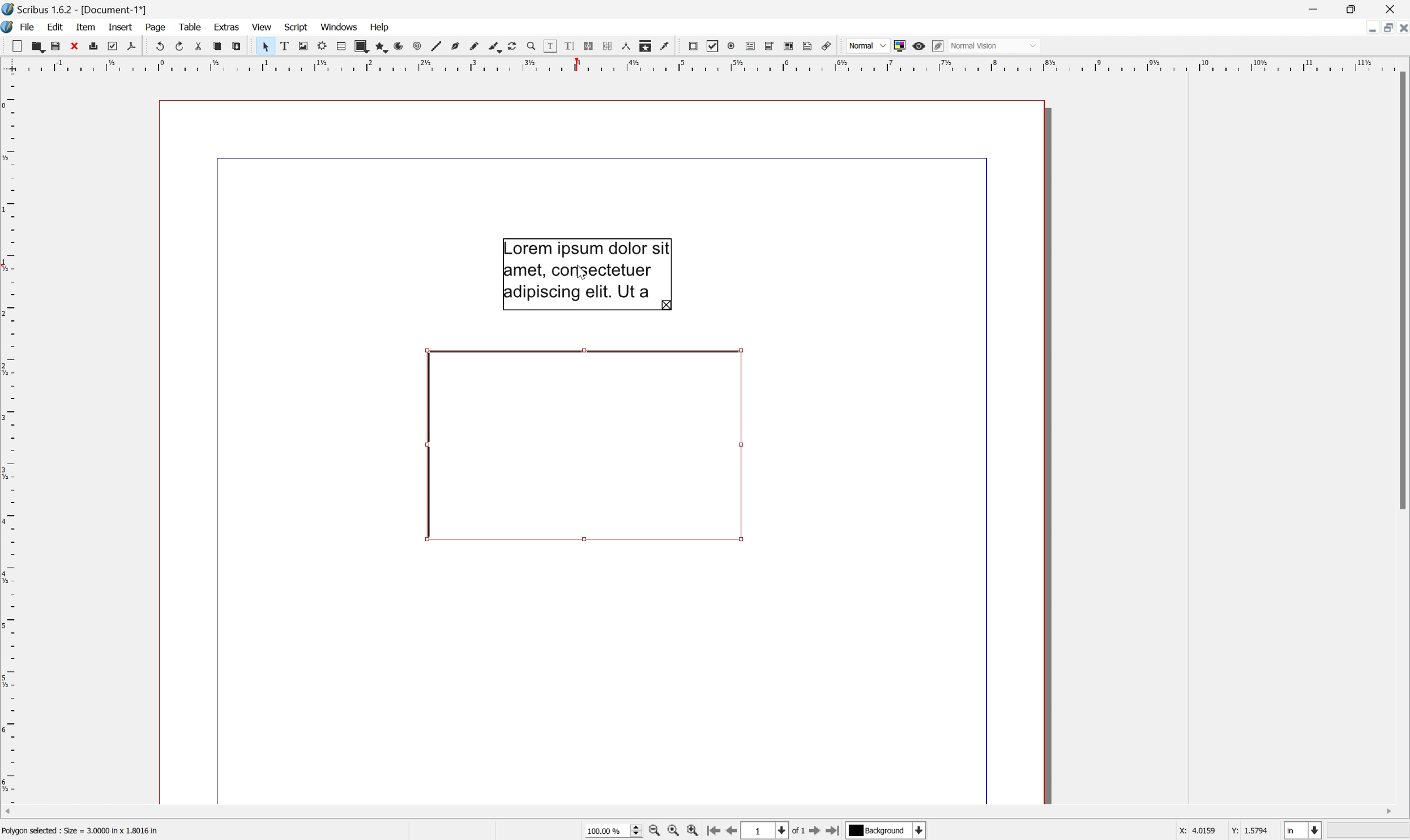 The width and height of the screenshot is (1410, 840). Describe the element at coordinates (768, 44) in the screenshot. I see `PDF combo box` at that location.